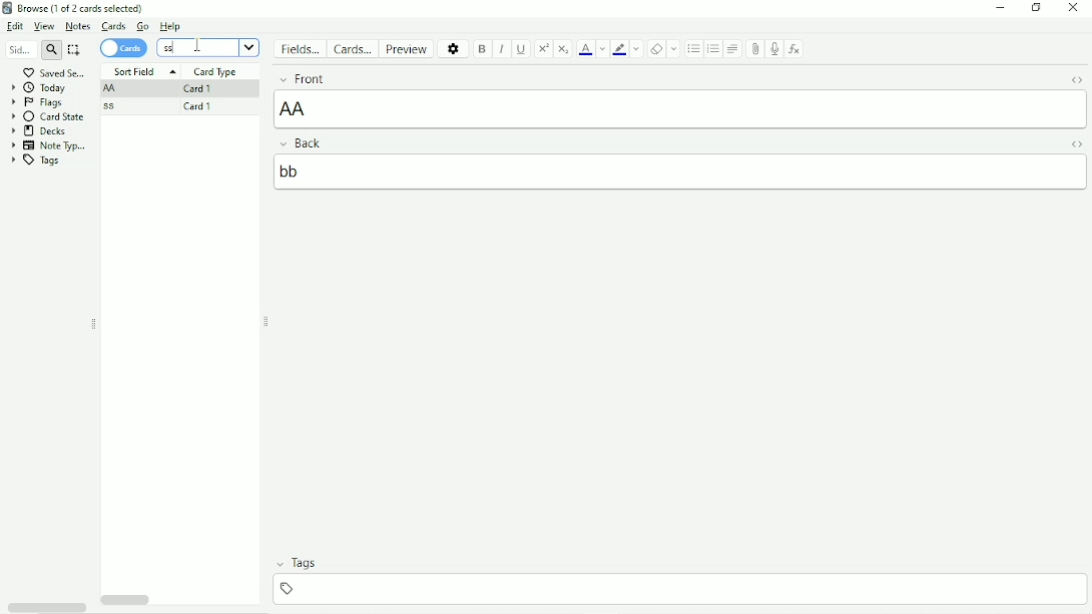 The width and height of the screenshot is (1092, 614). I want to click on edit back, so click(682, 171).